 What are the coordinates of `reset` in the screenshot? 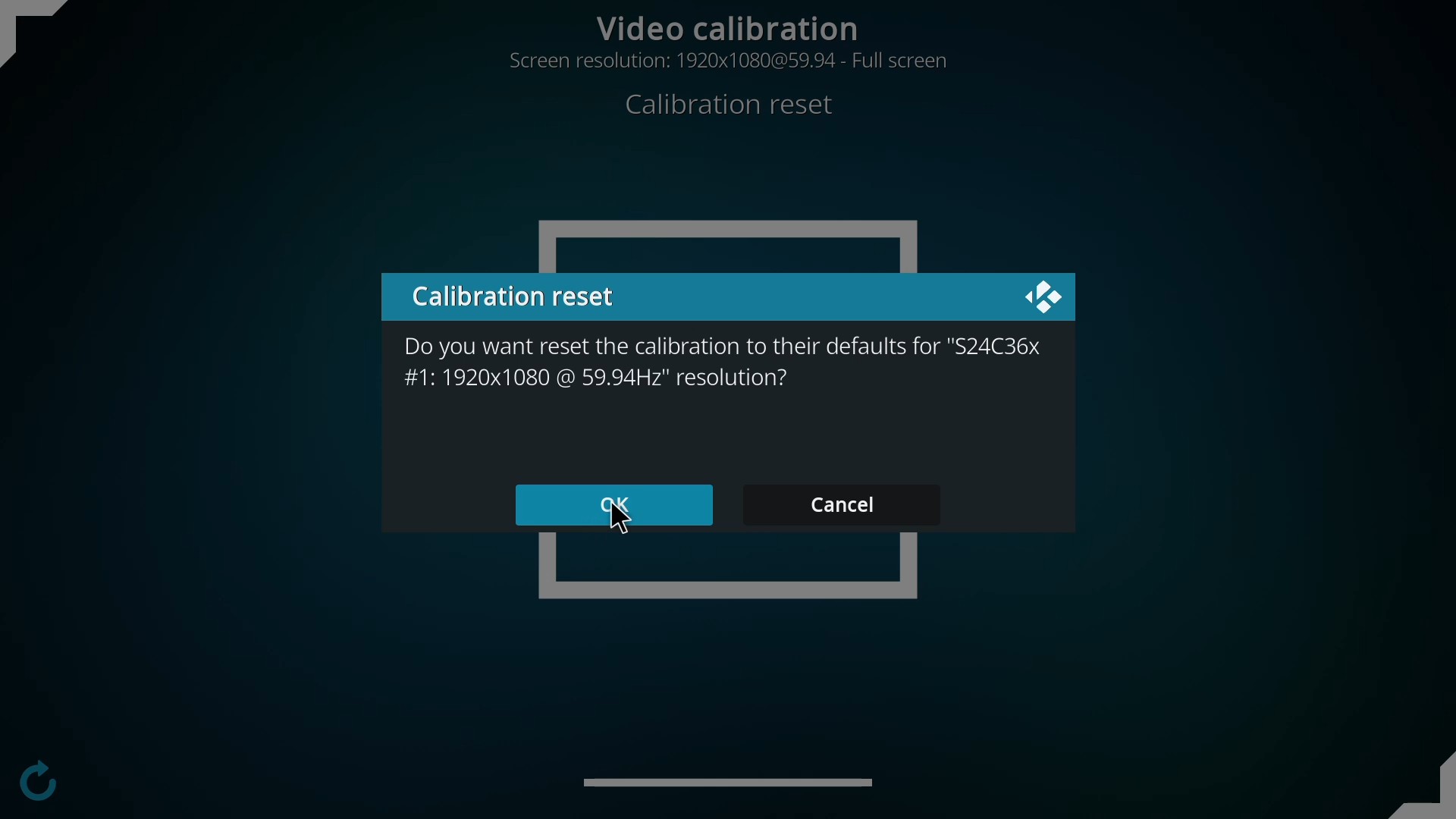 It's located at (736, 105).